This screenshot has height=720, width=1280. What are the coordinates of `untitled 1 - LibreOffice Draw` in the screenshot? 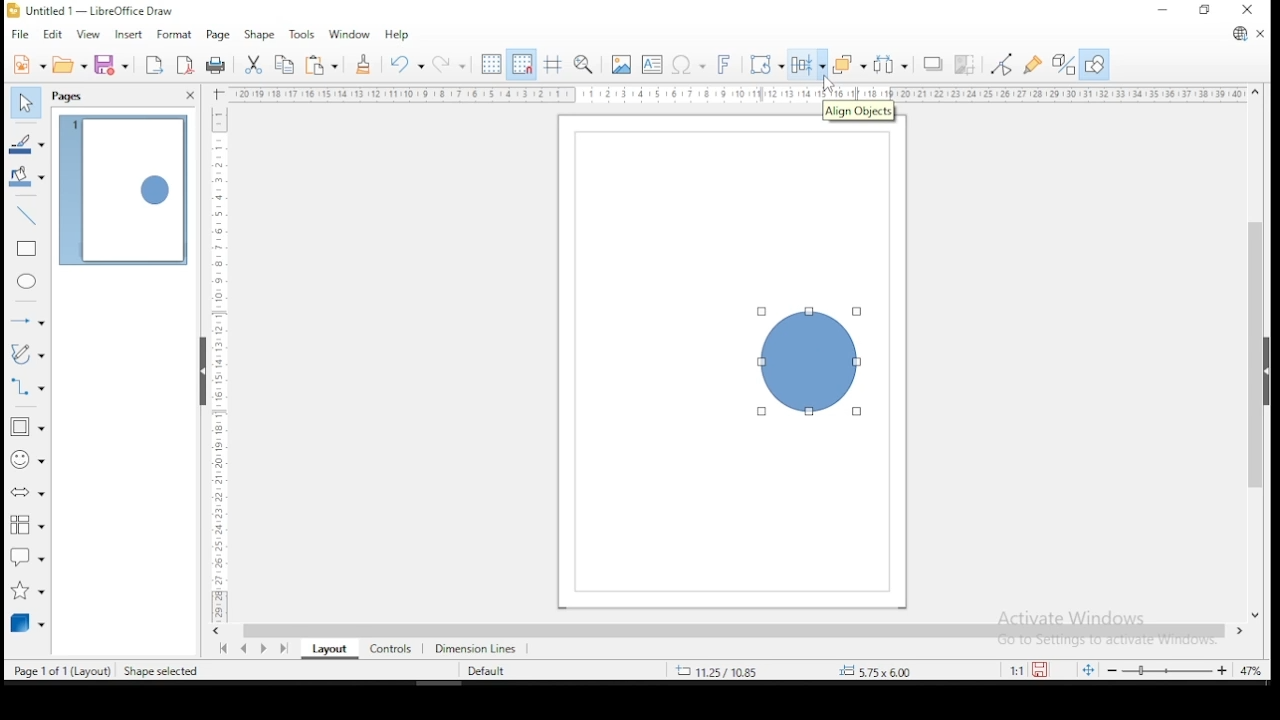 It's located at (90, 10).